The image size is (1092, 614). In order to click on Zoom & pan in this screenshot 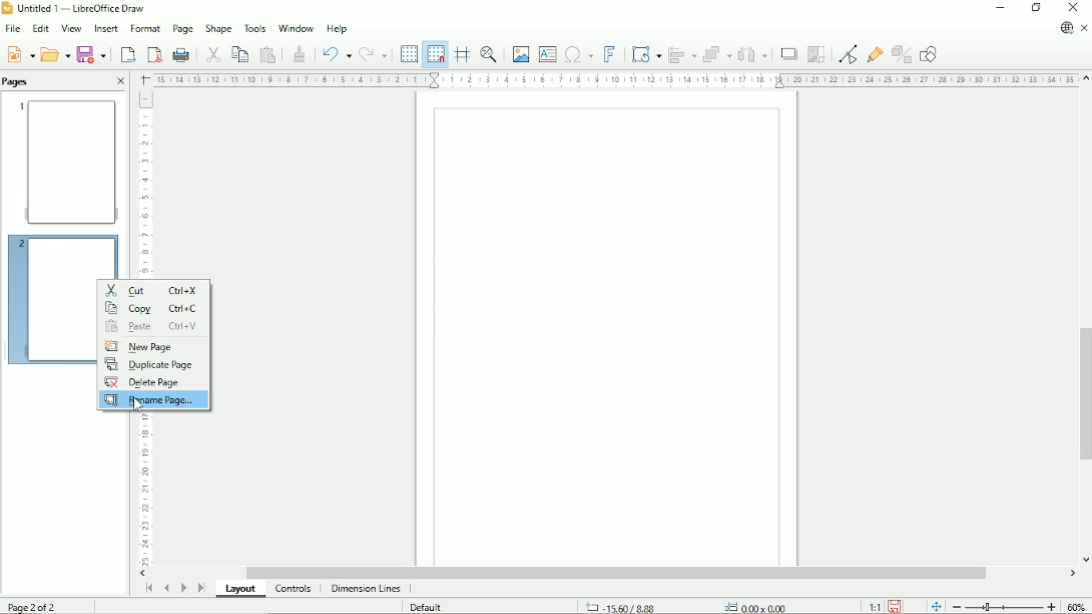, I will do `click(490, 54)`.